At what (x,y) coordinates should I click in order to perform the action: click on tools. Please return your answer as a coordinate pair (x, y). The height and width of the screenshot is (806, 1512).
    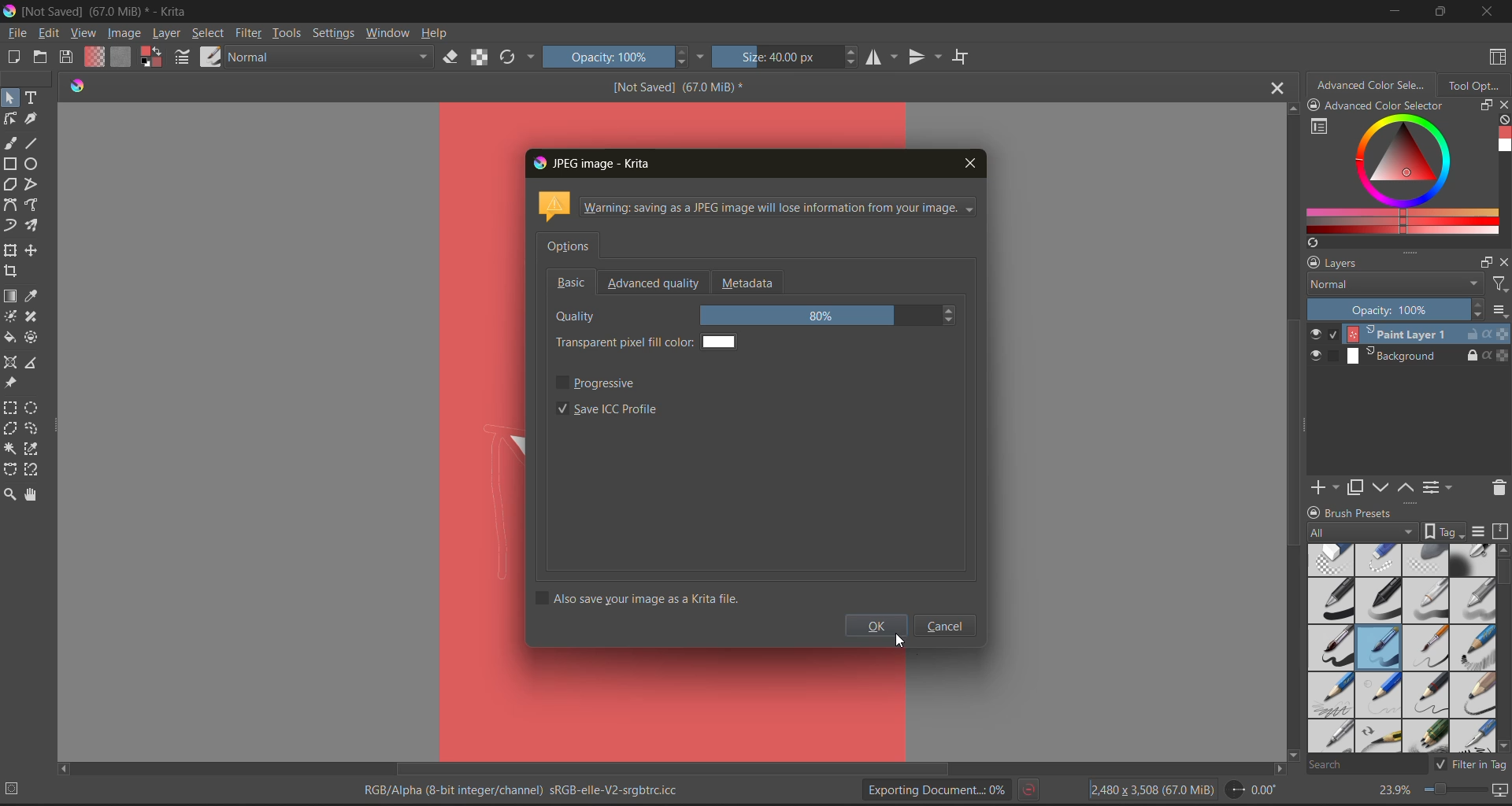
    Looking at the image, I should click on (9, 449).